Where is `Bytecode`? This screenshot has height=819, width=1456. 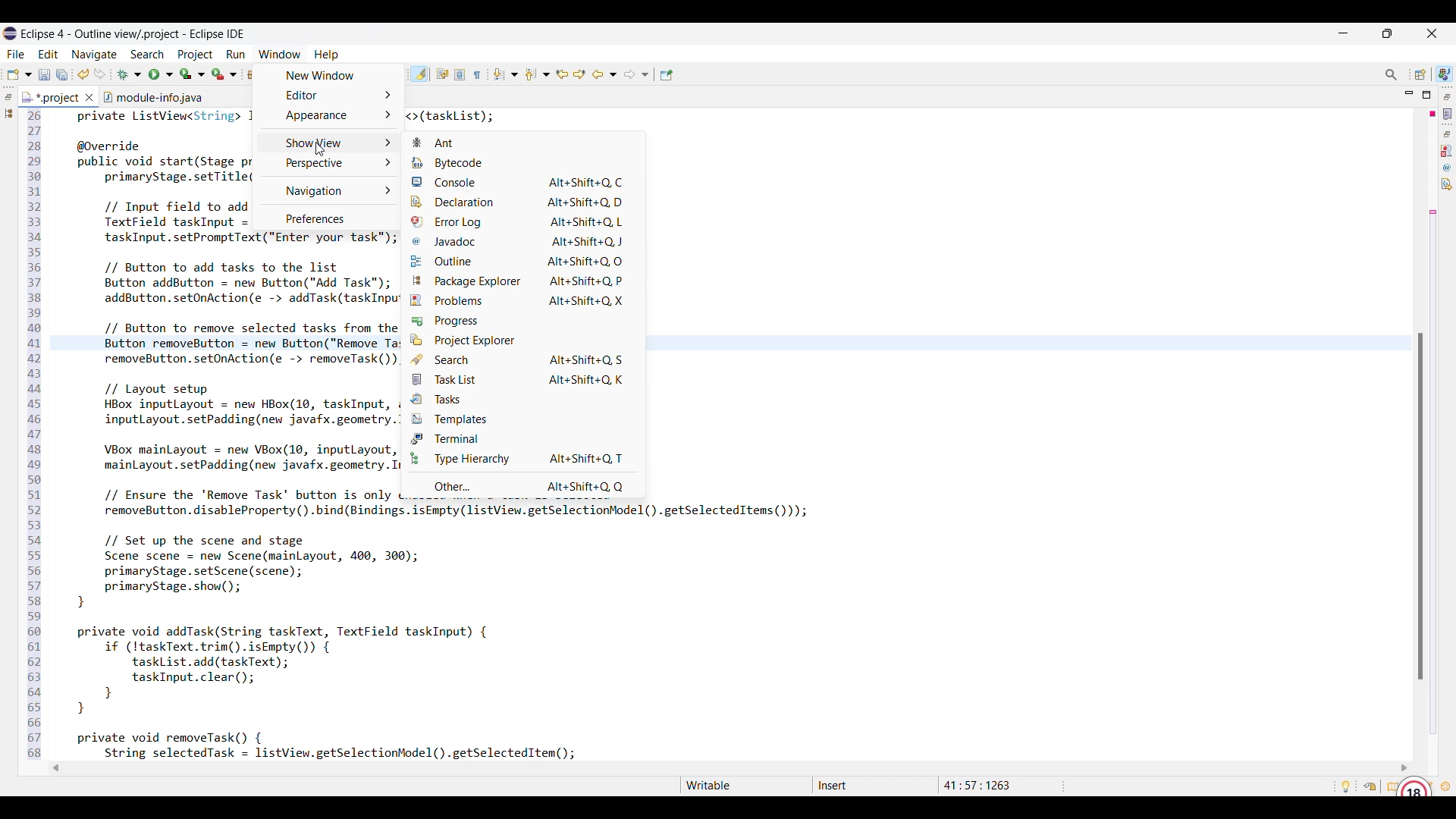 Bytecode is located at coordinates (521, 163).